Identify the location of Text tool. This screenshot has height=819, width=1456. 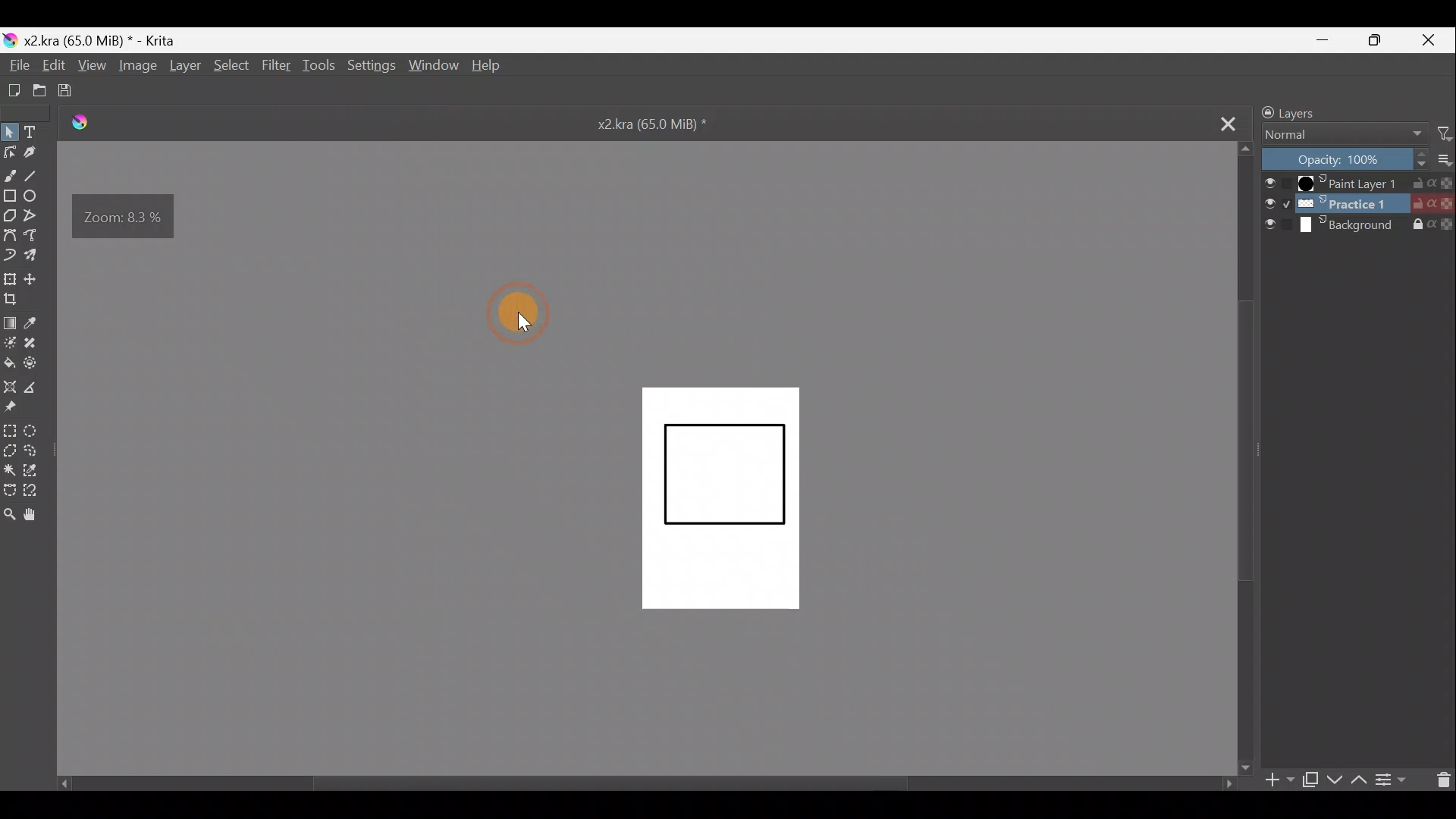
(38, 130).